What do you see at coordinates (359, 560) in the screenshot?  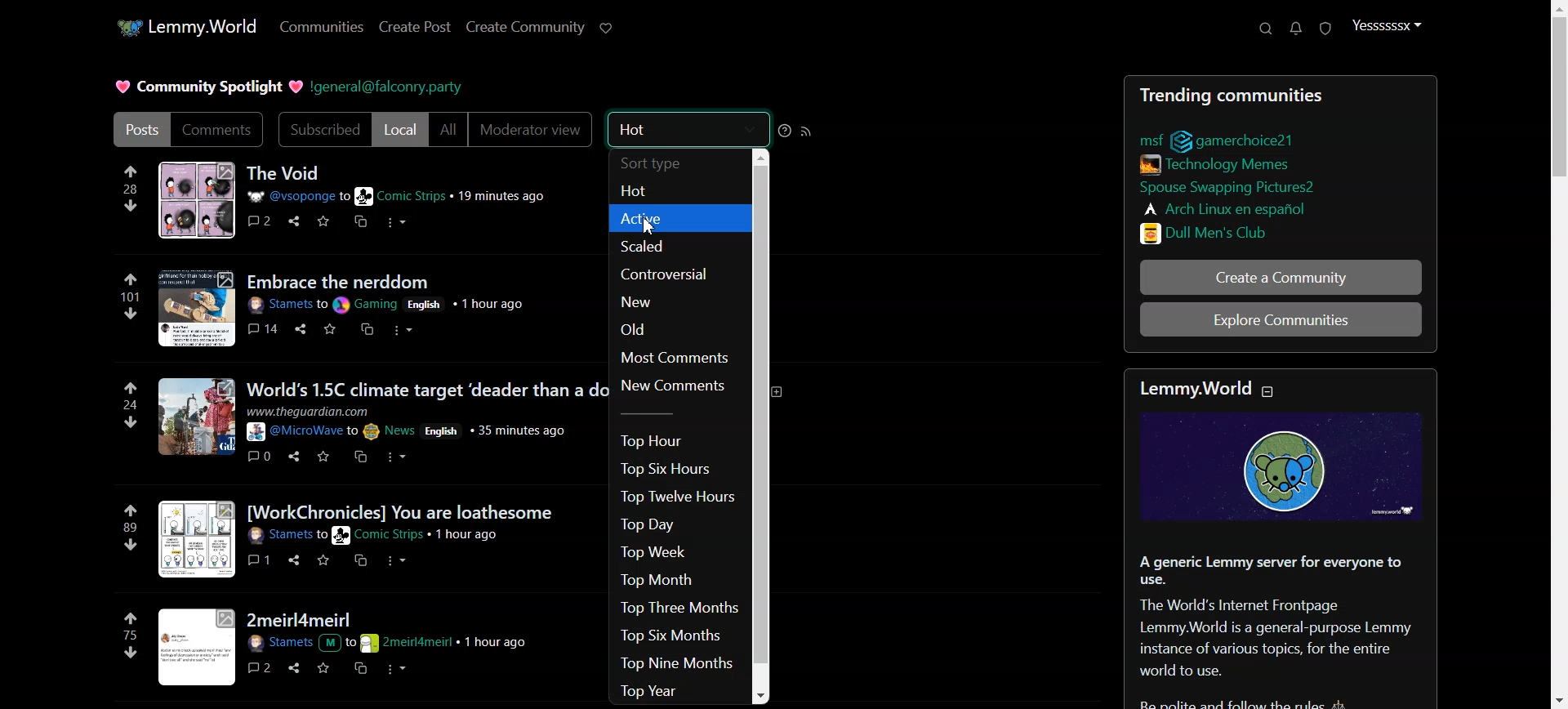 I see `cross post` at bounding box center [359, 560].